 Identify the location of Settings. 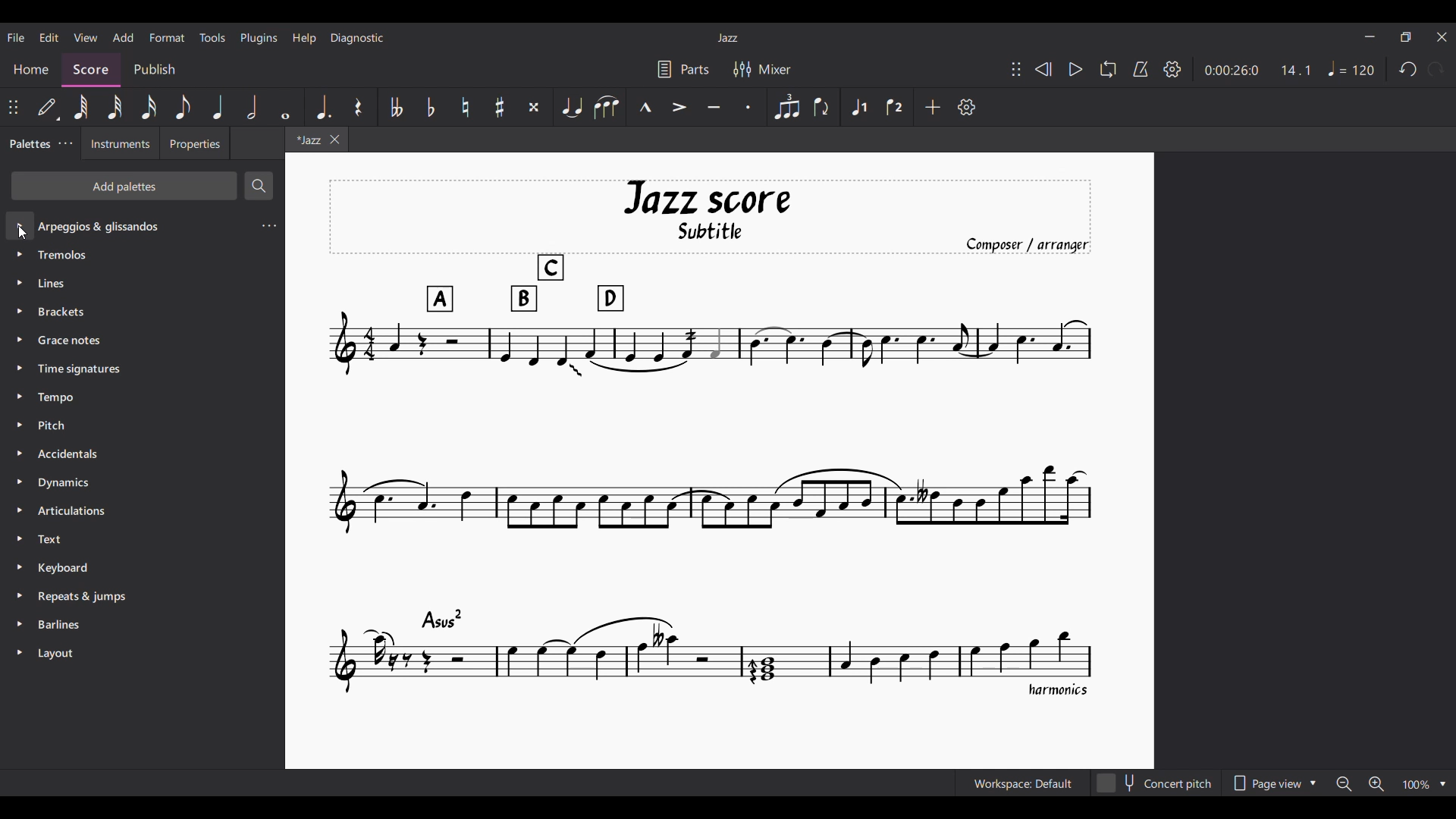
(1172, 69).